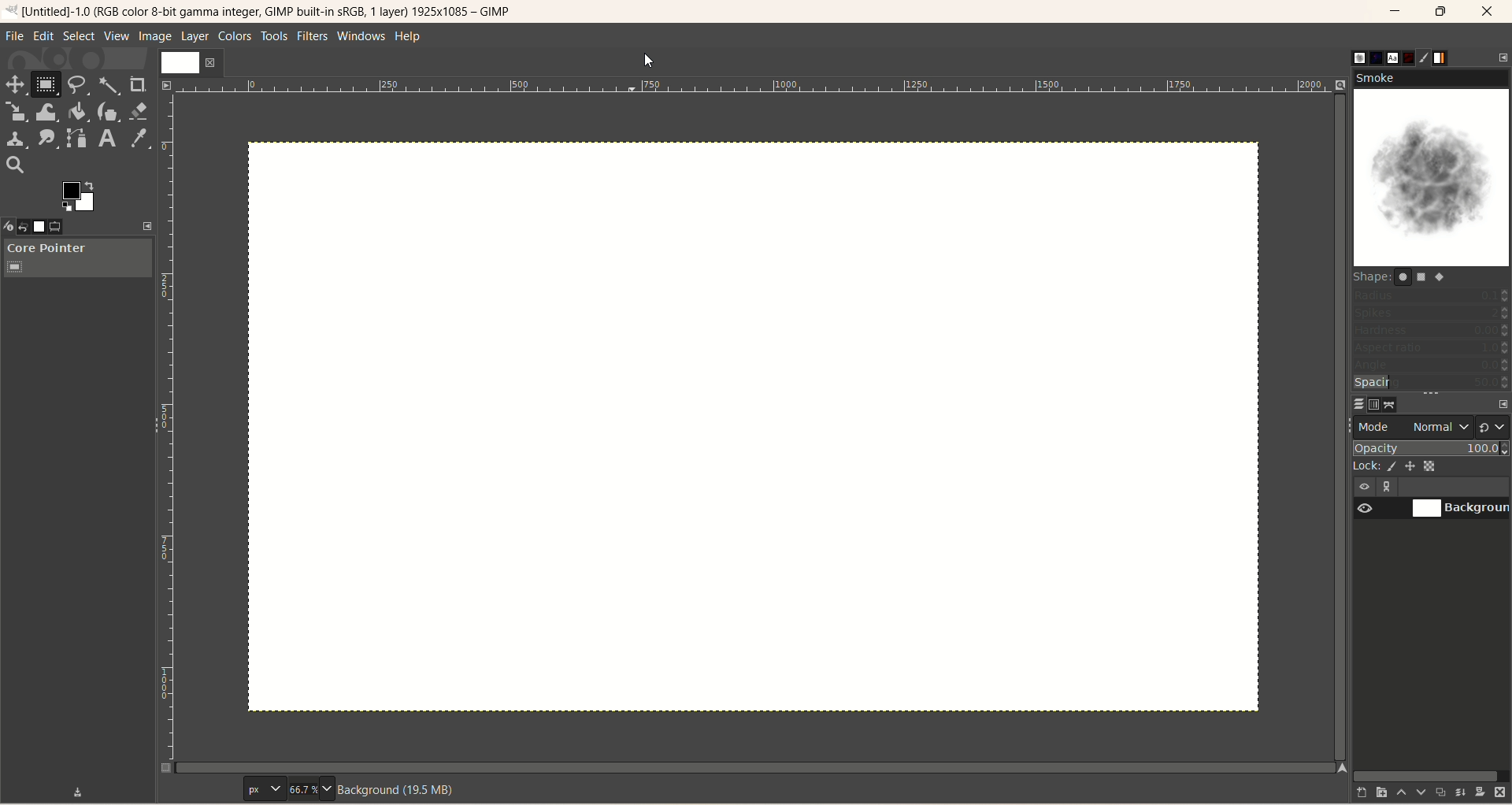 This screenshot has height=805, width=1512. What do you see at coordinates (193, 37) in the screenshot?
I see `layer` at bounding box center [193, 37].